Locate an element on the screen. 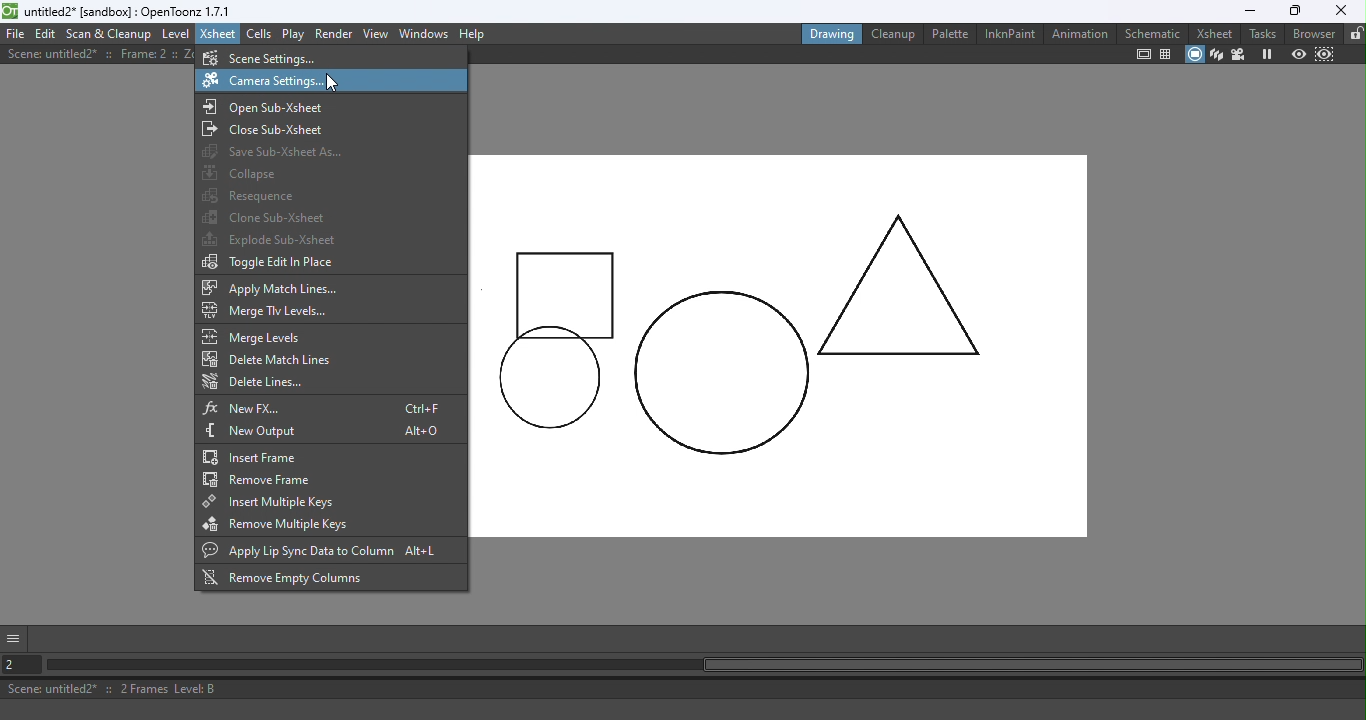 This screenshot has height=720, width=1366. Collapse is located at coordinates (241, 175).